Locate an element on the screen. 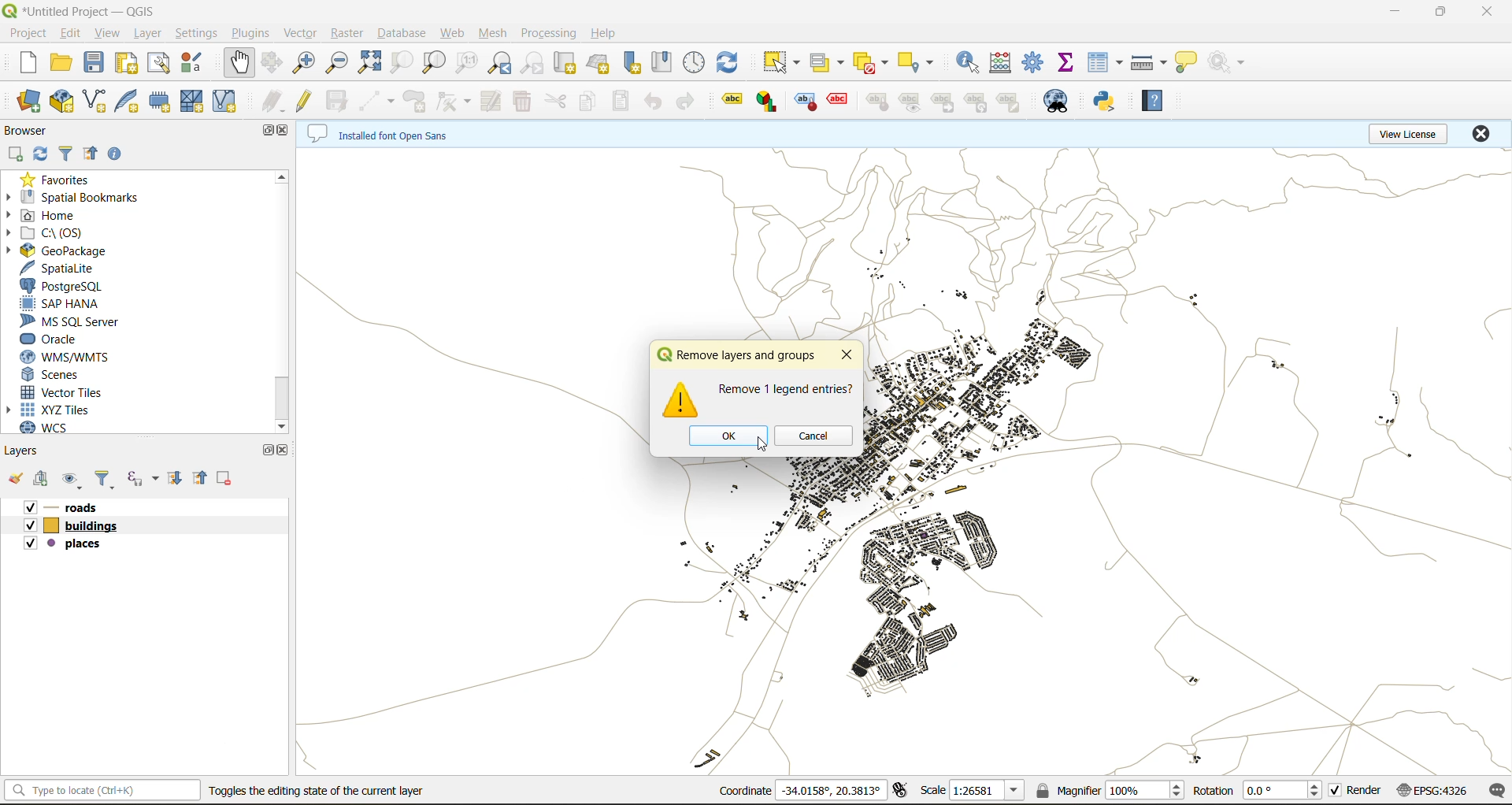 This screenshot has height=805, width=1512. zoom full is located at coordinates (372, 63).